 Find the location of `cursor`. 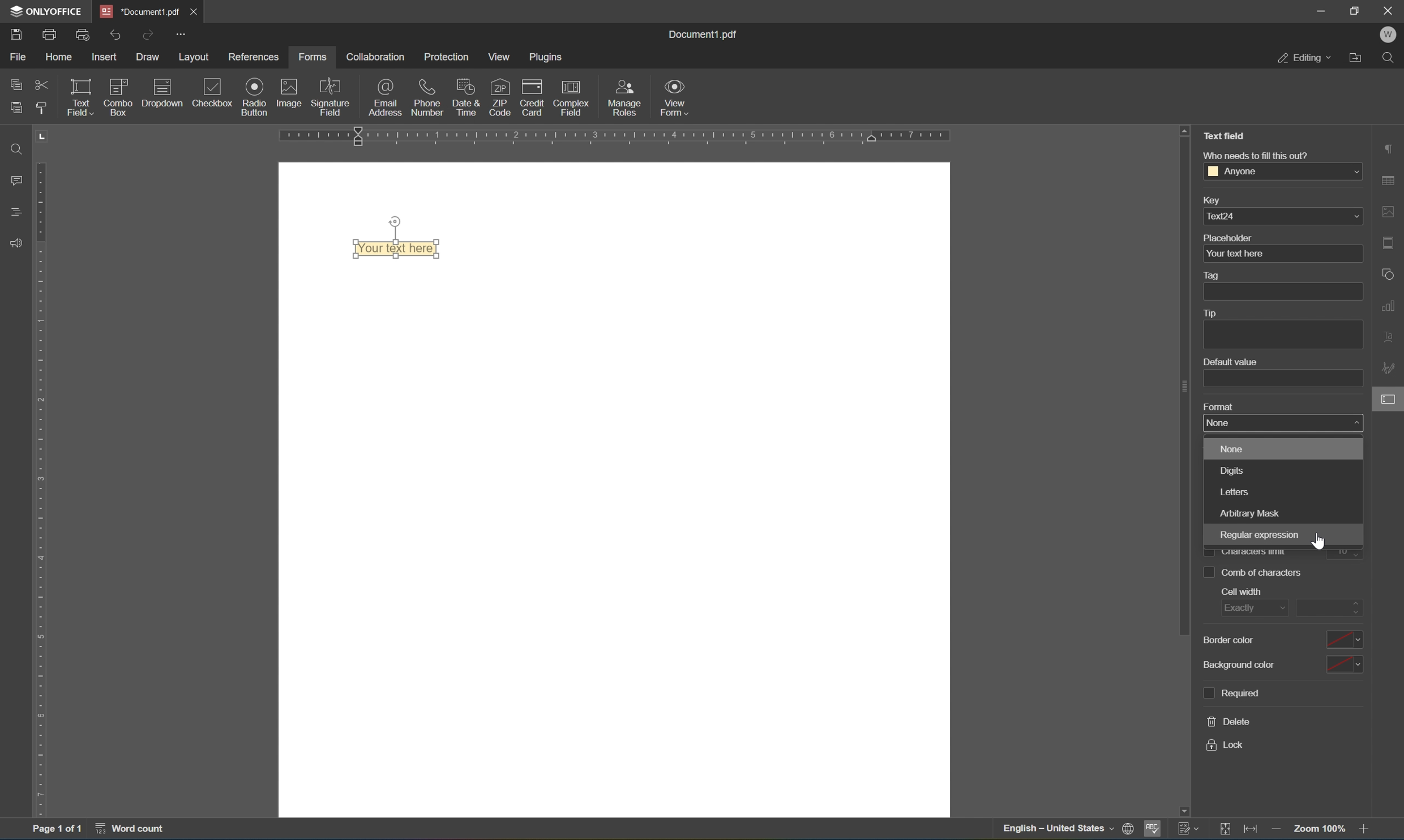

cursor is located at coordinates (1321, 542).